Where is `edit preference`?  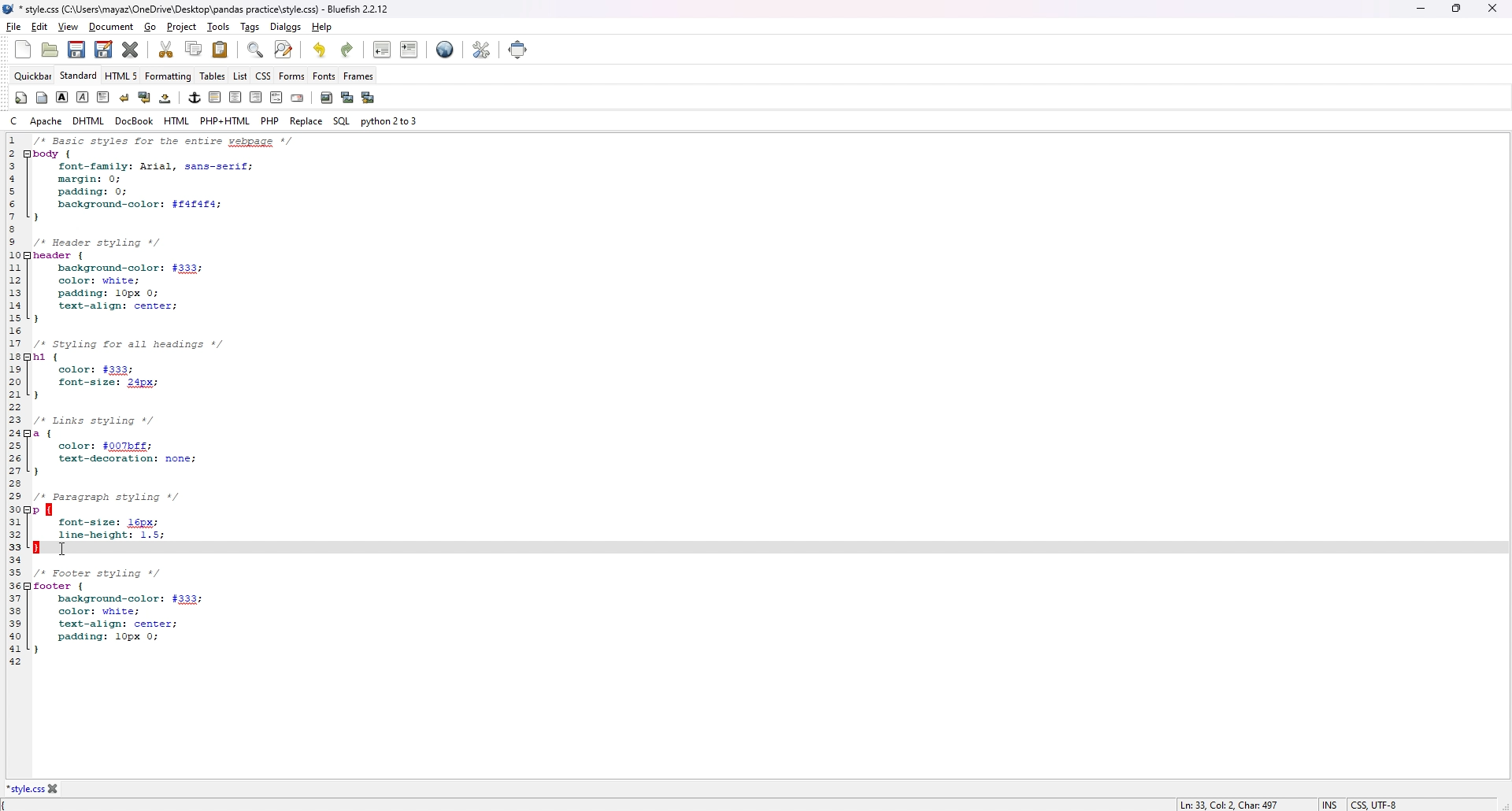 edit preference is located at coordinates (482, 50).